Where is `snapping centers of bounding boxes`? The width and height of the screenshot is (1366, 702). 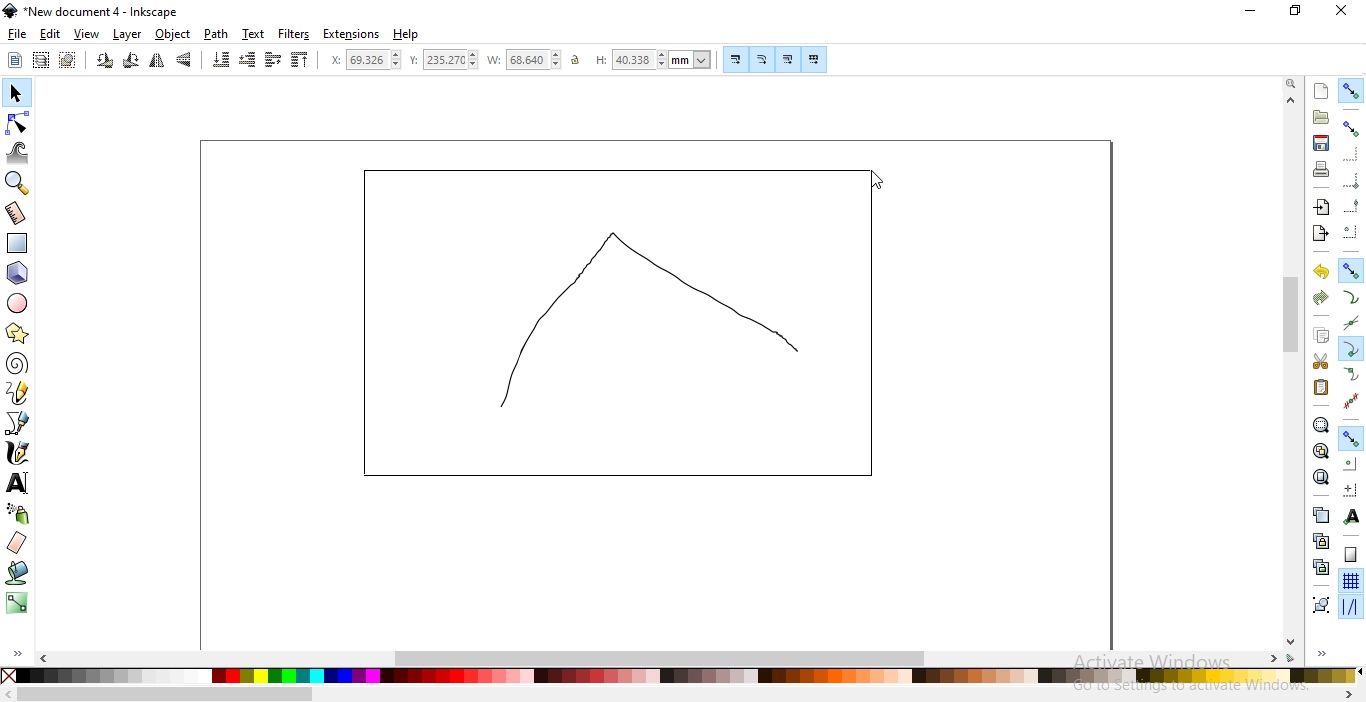
snapping centers of bounding boxes is located at coordinates (1351, 231).